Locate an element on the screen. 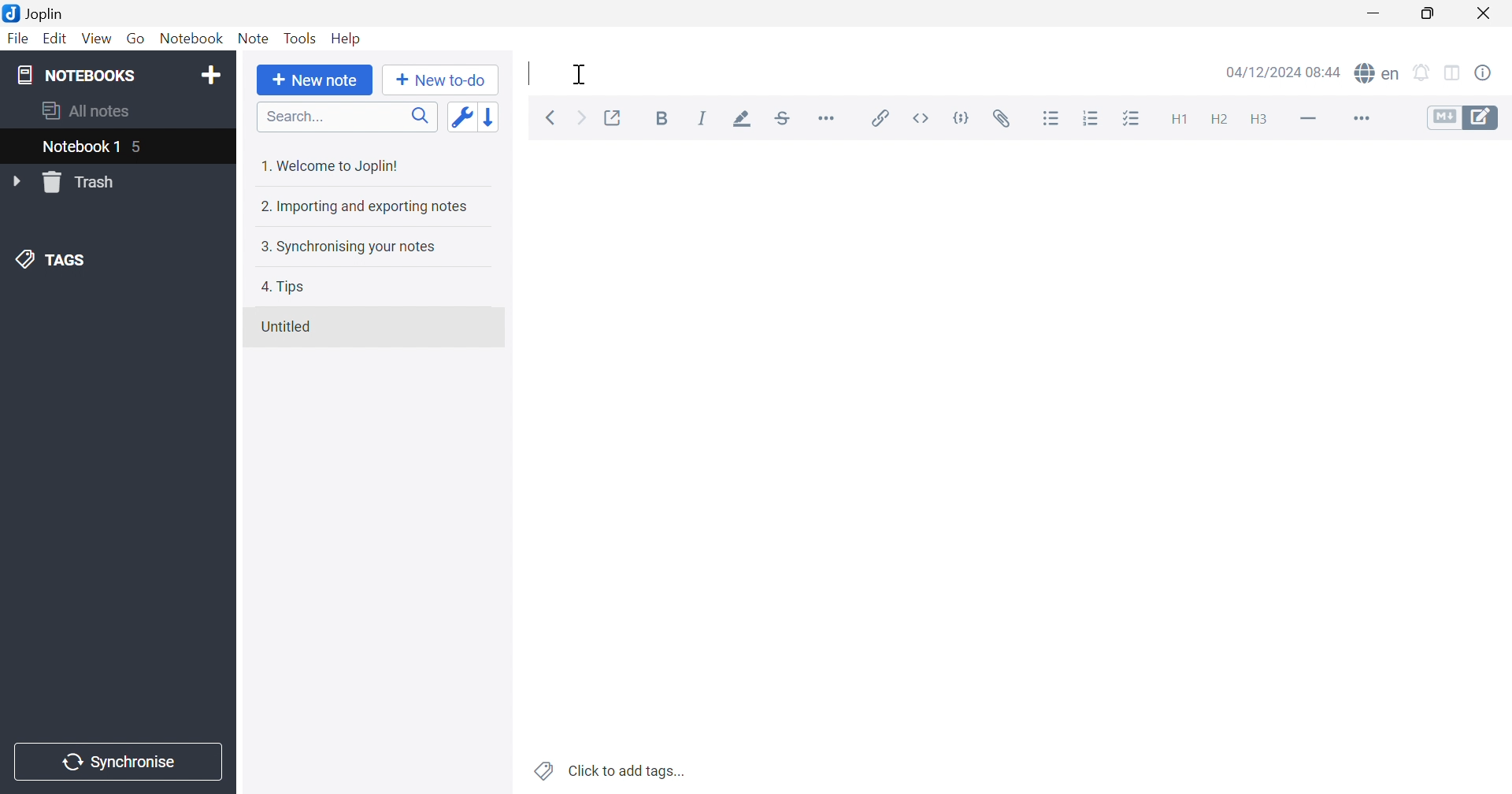 The image size is (1512, 794). View is located at coordinates (97, 39).